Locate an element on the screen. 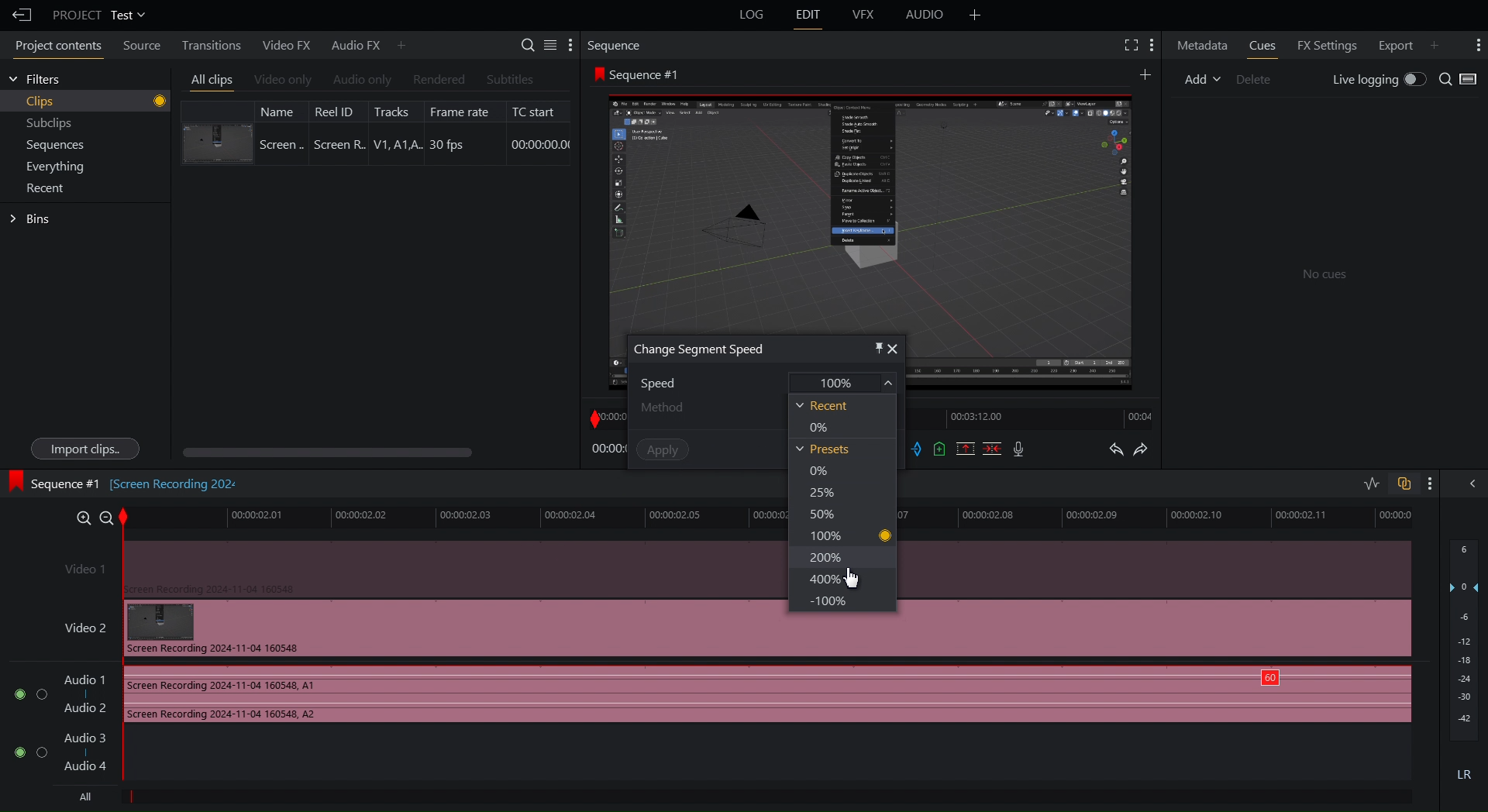  Transitions is located at coordinates (207, 44).